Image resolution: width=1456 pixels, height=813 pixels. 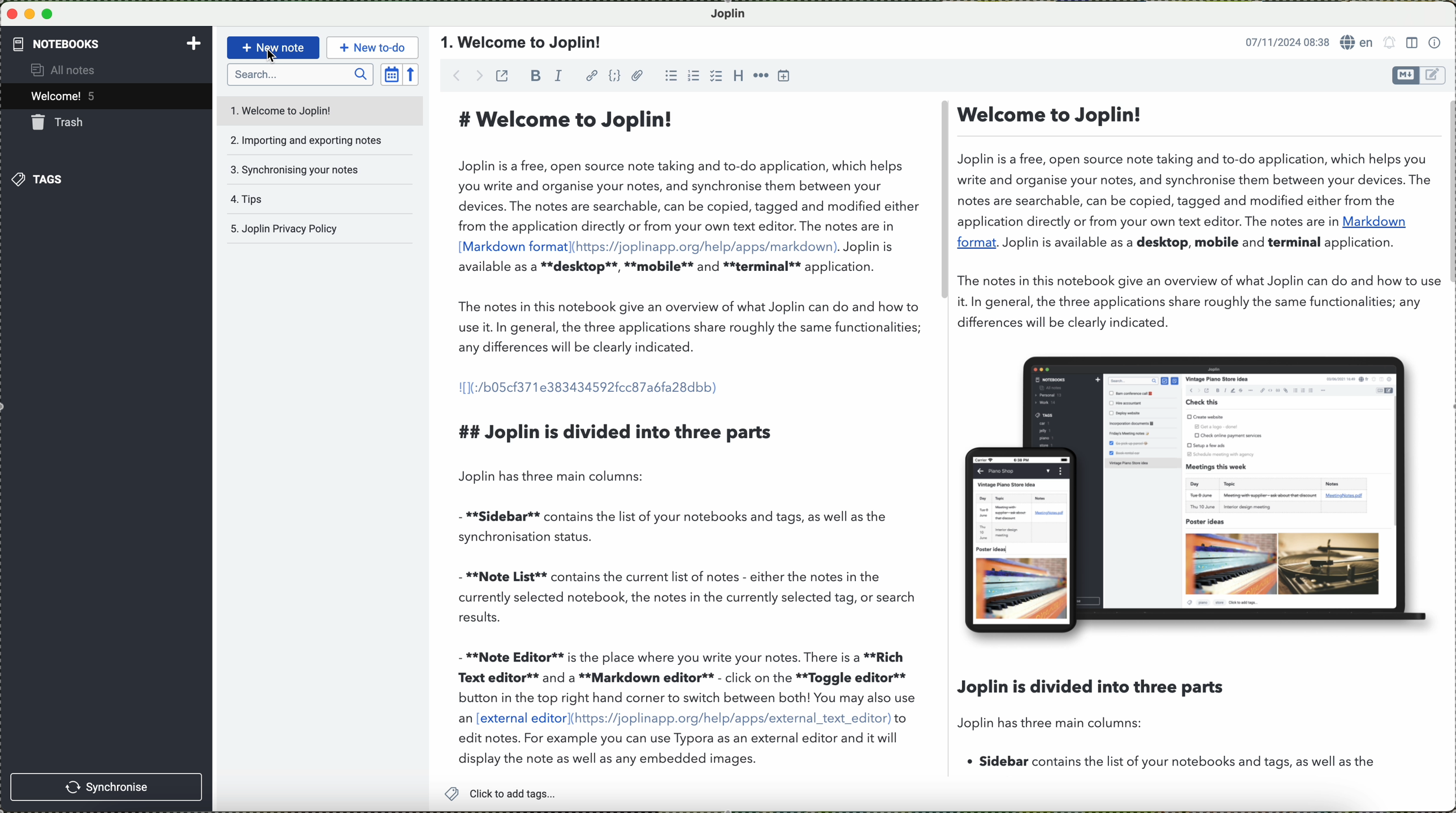 I want to click on numbered list, so click(x=693, y=75).